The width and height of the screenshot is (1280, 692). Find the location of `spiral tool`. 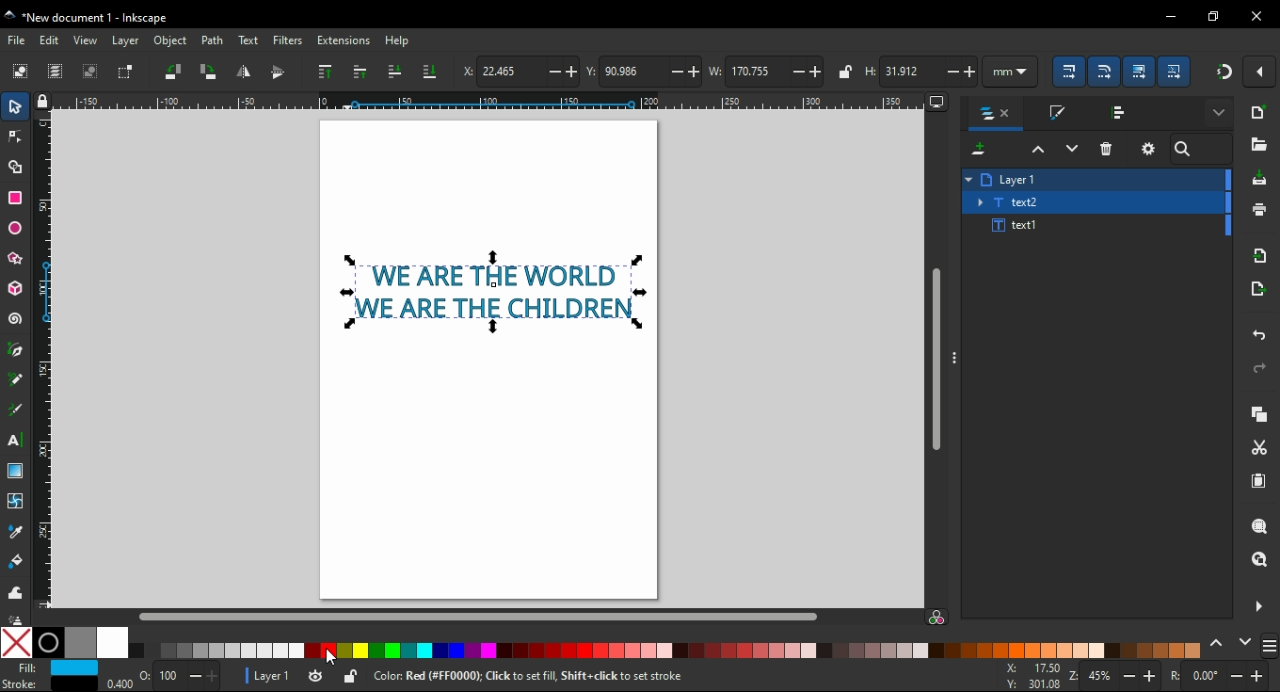

spiral tool is located at coordinates (13, 319).